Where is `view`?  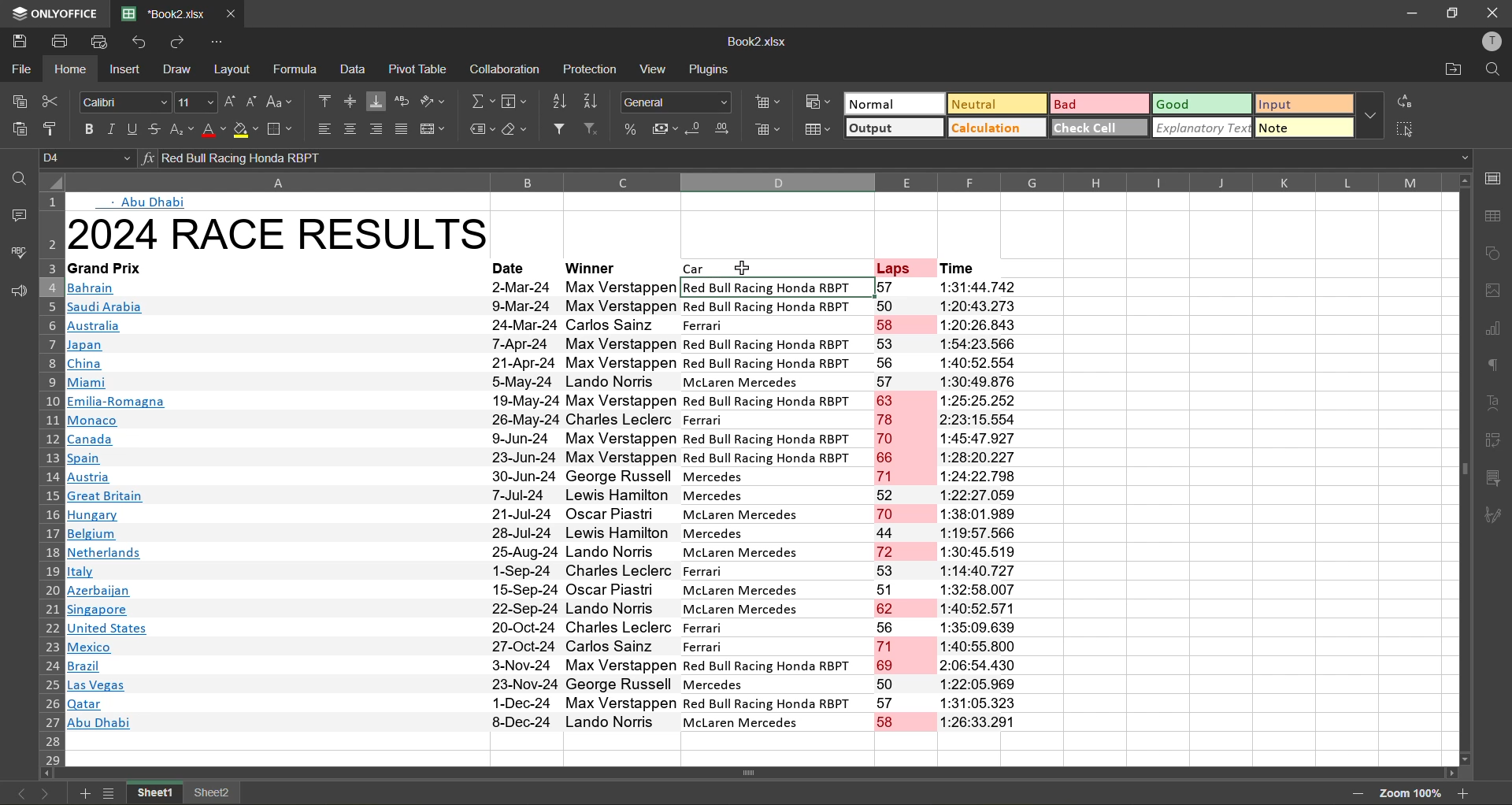
view is located at coordinates (658, 71).